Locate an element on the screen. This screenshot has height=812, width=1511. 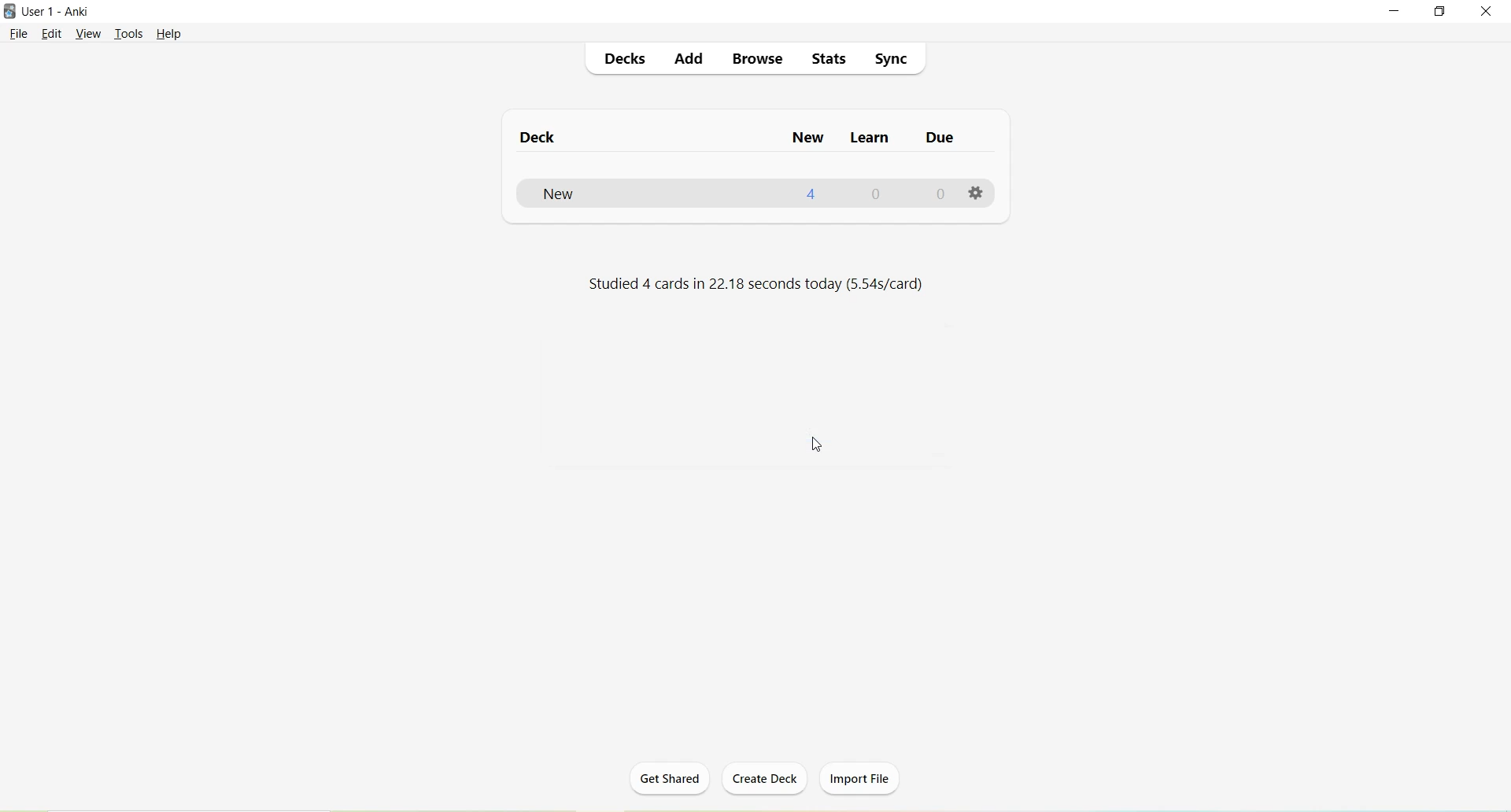
Close is located at coordinates (1489, 13).